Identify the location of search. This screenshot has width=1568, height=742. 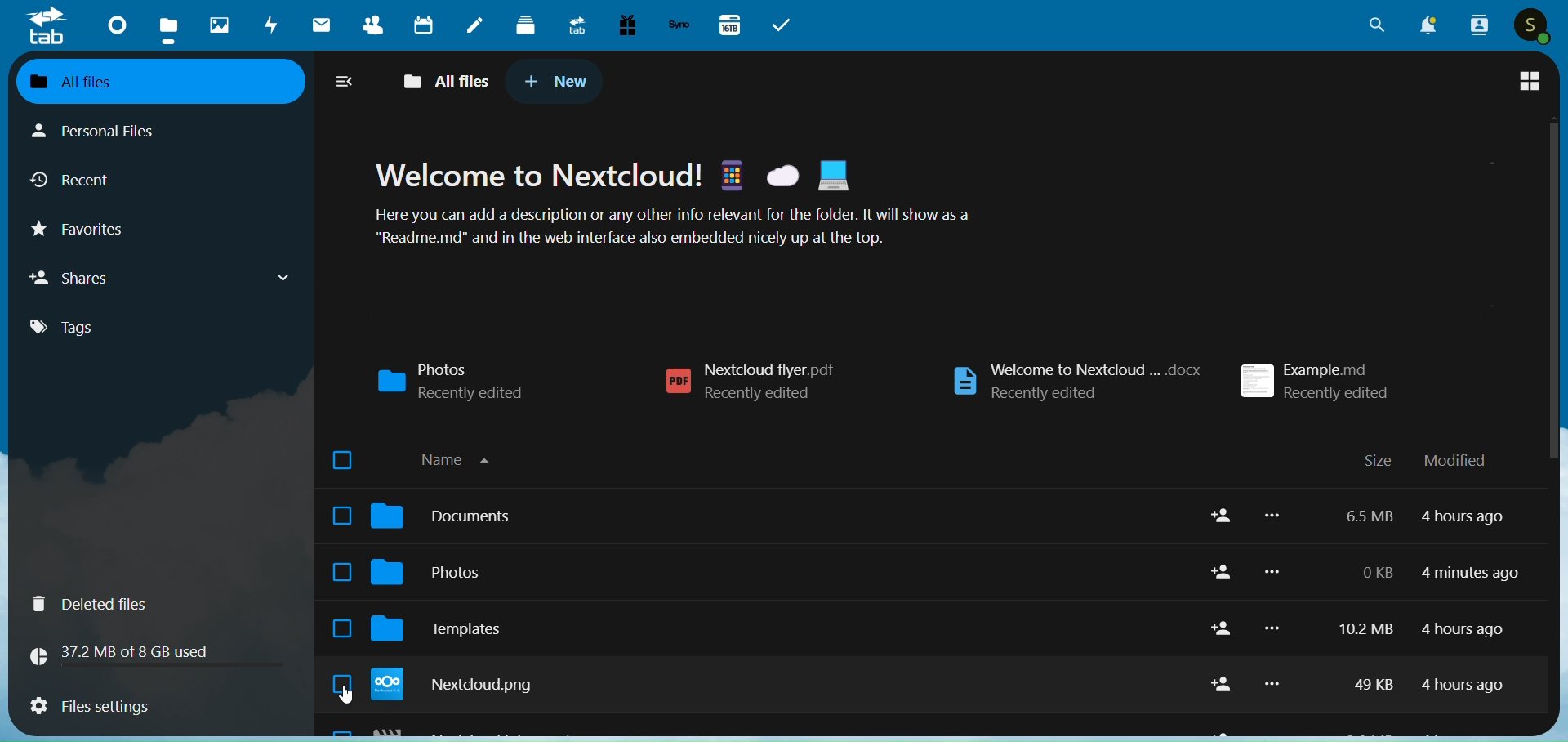
(1370, 26).